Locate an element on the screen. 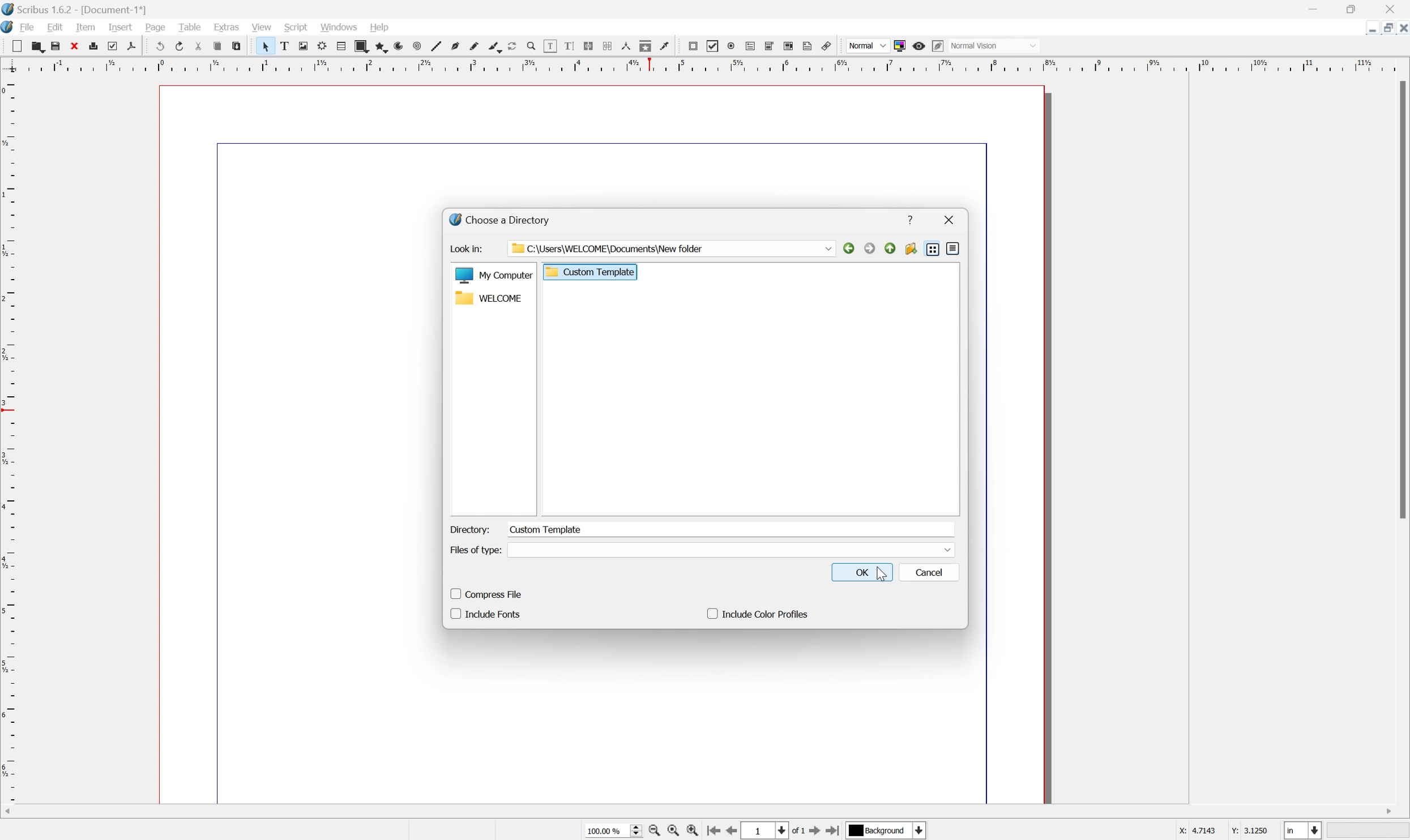 The width and height of the screenshot is (1410, 840). view is located at coordinates (264, 26).